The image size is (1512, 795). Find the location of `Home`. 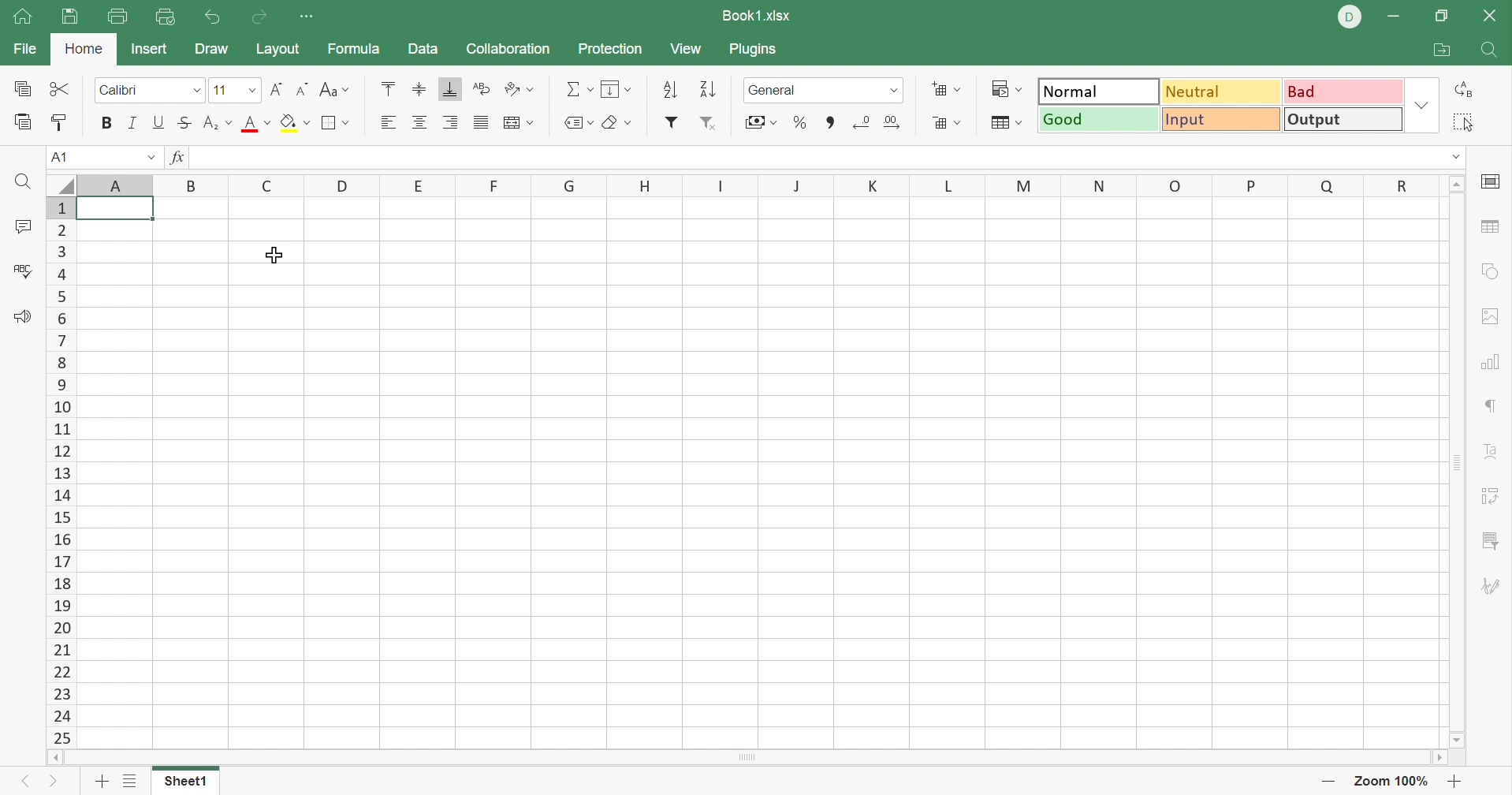

Home is located at coordinates (22, 17).